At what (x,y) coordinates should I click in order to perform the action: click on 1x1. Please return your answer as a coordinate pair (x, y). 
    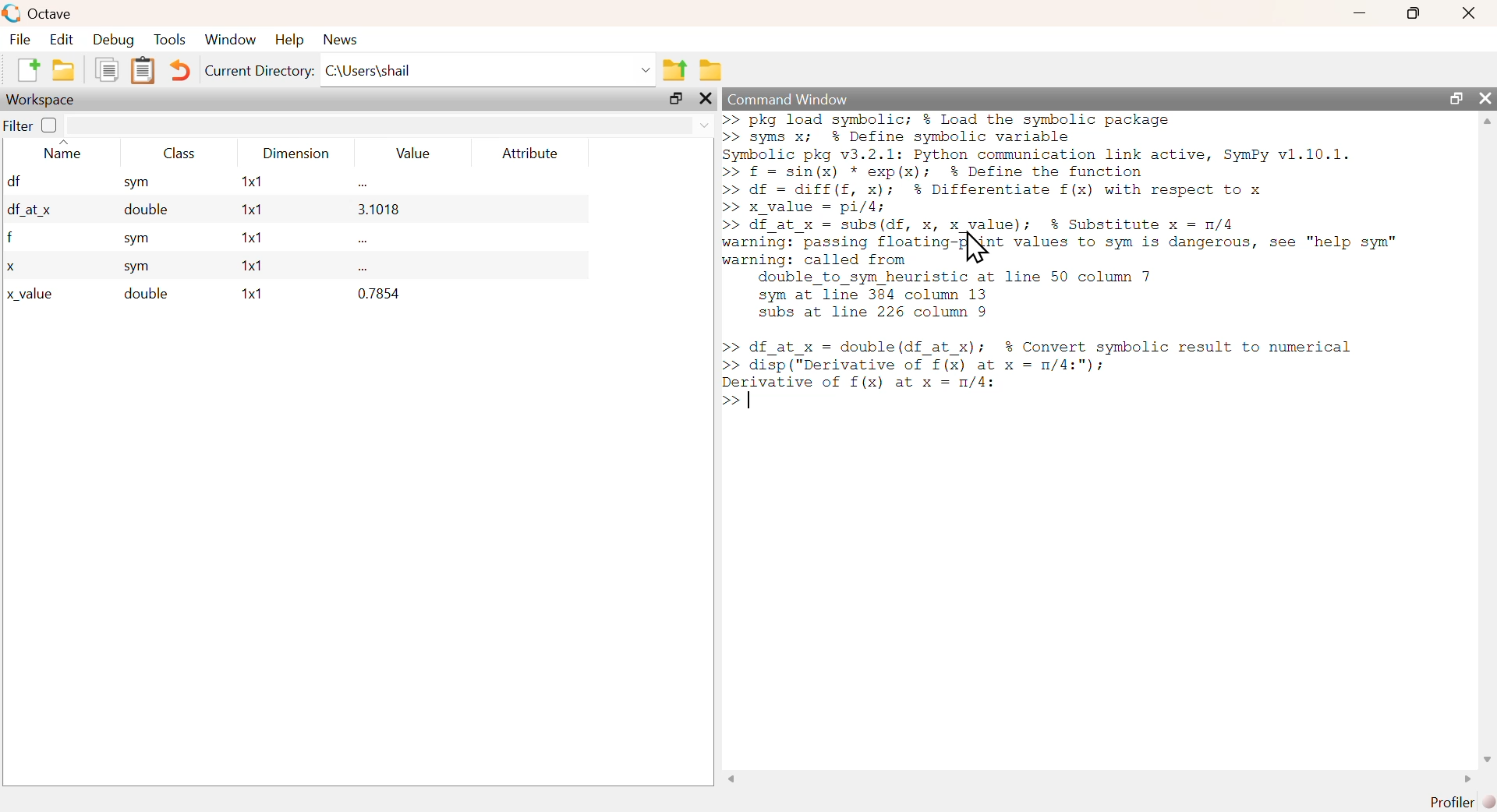
    Looking at the image, I should click on (251, 183).